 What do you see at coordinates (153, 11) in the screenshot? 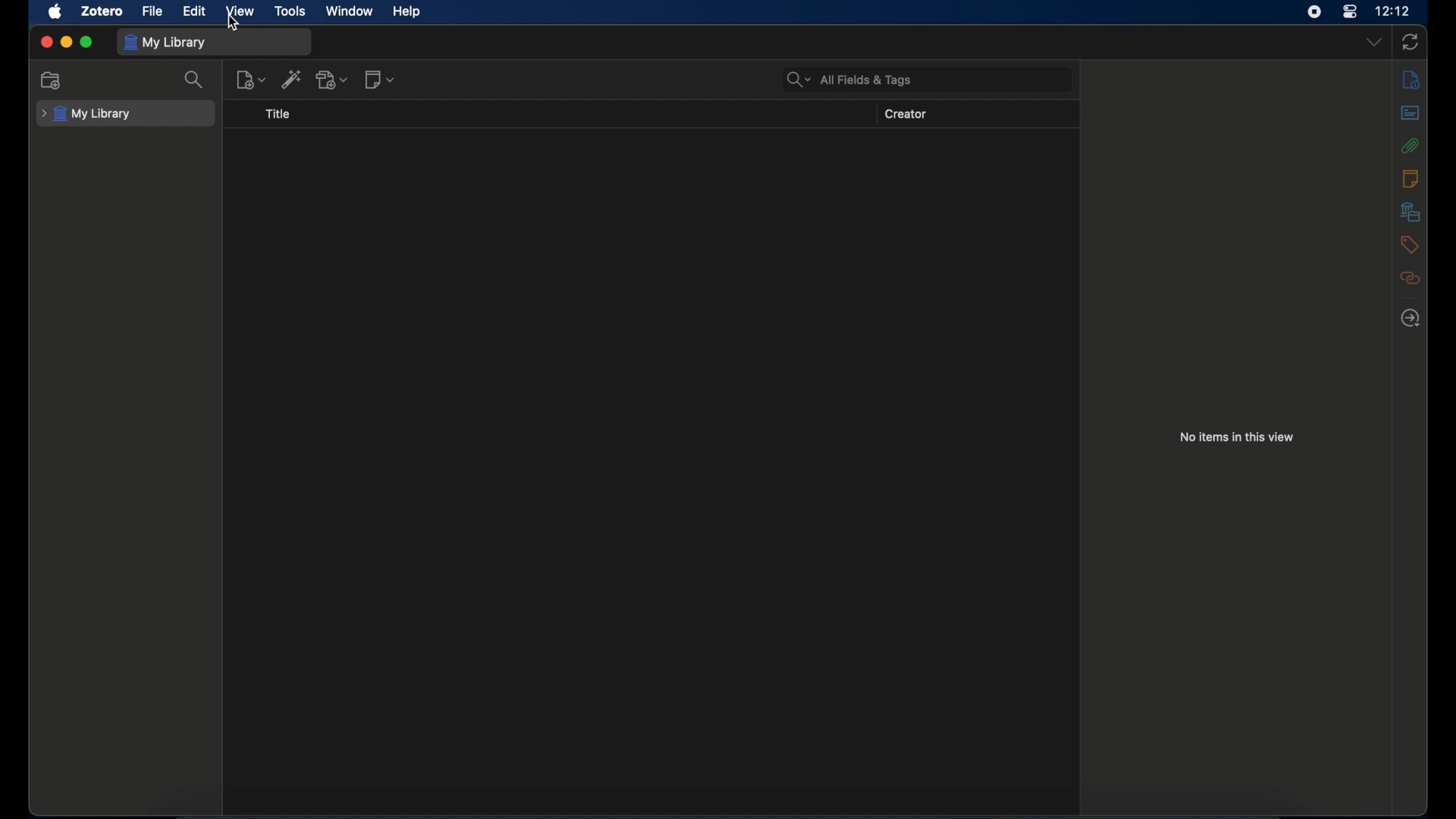
I see `file` at bounding box center [153, 11].